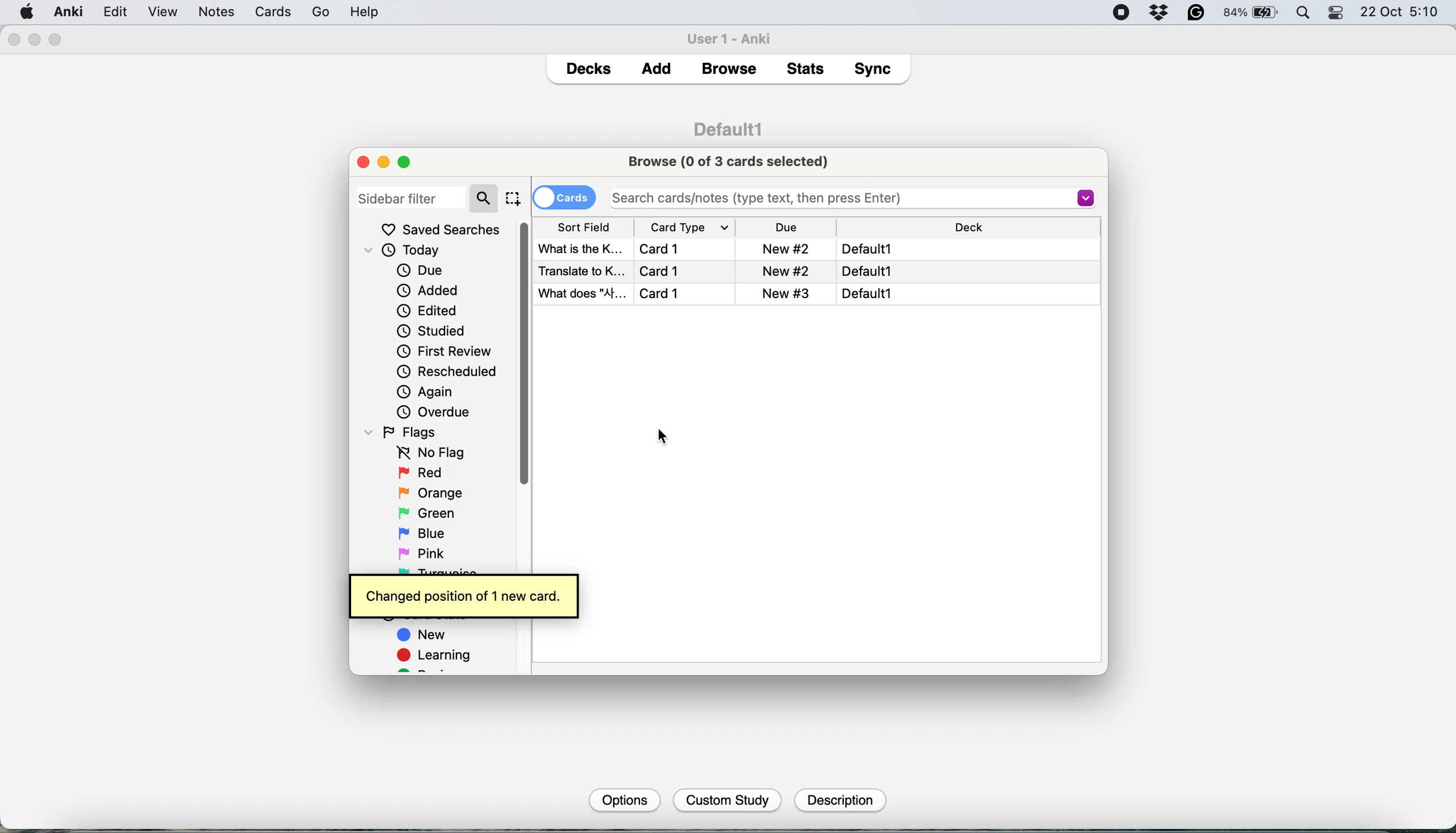 Image resolution: width=1456 pixels, height=833 pixels. Describe the element at coordinates (309, 11) in the screenshot. I see `help` at that location.